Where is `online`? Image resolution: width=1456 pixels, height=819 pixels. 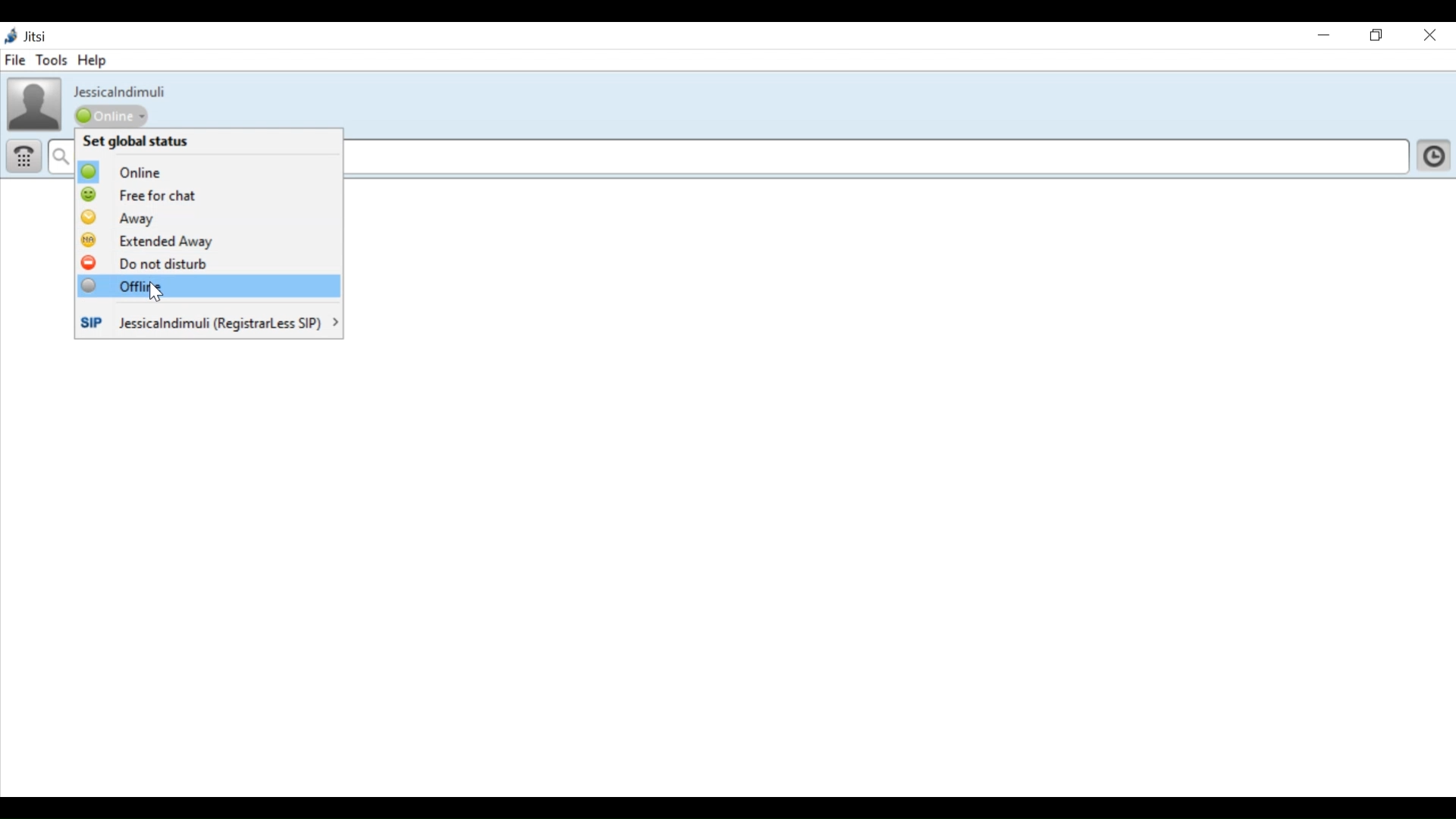 online is located at coordinates (114, 118).